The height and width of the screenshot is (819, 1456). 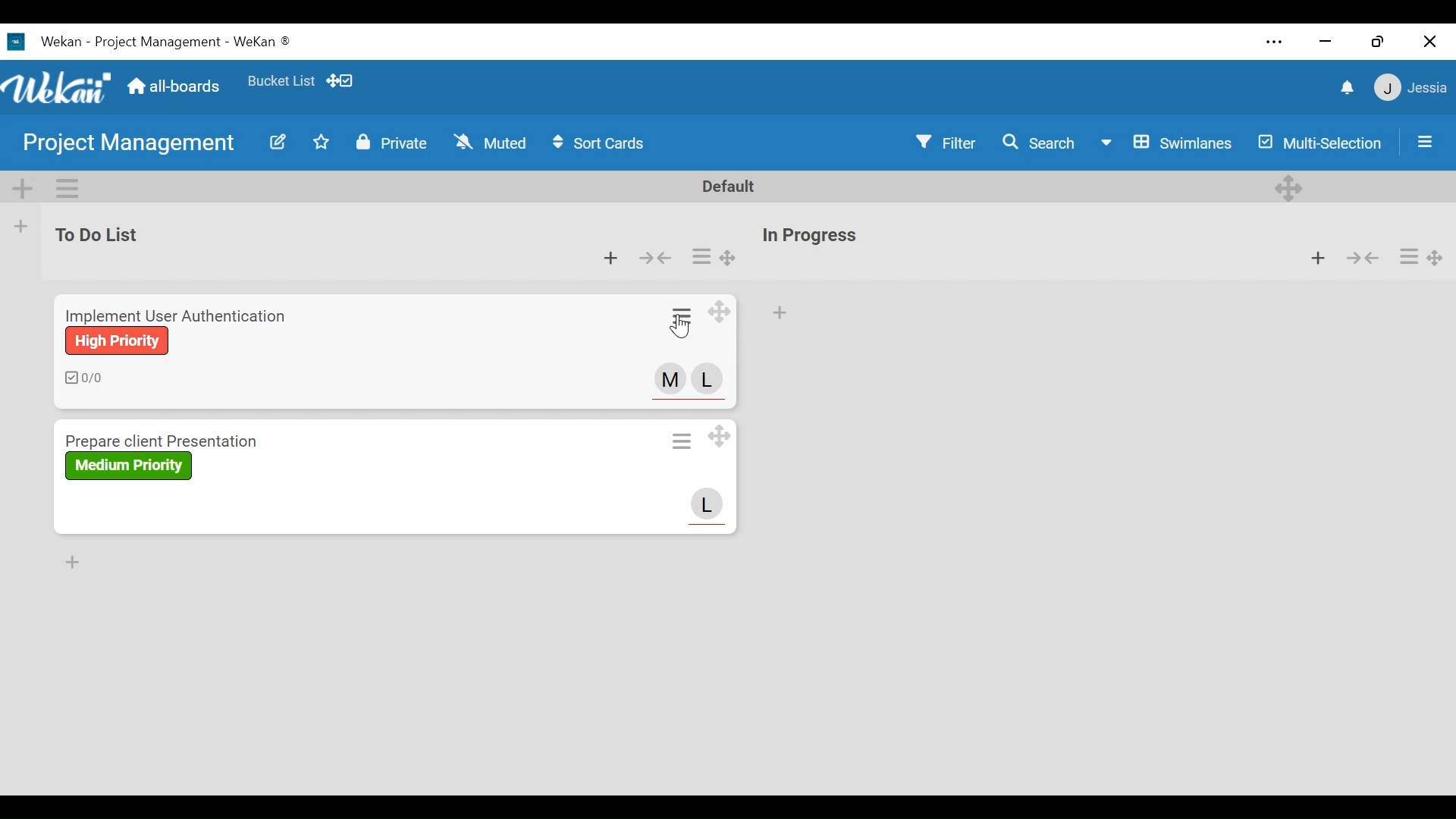 I want to click on Filter, so click(x=943, y=143).